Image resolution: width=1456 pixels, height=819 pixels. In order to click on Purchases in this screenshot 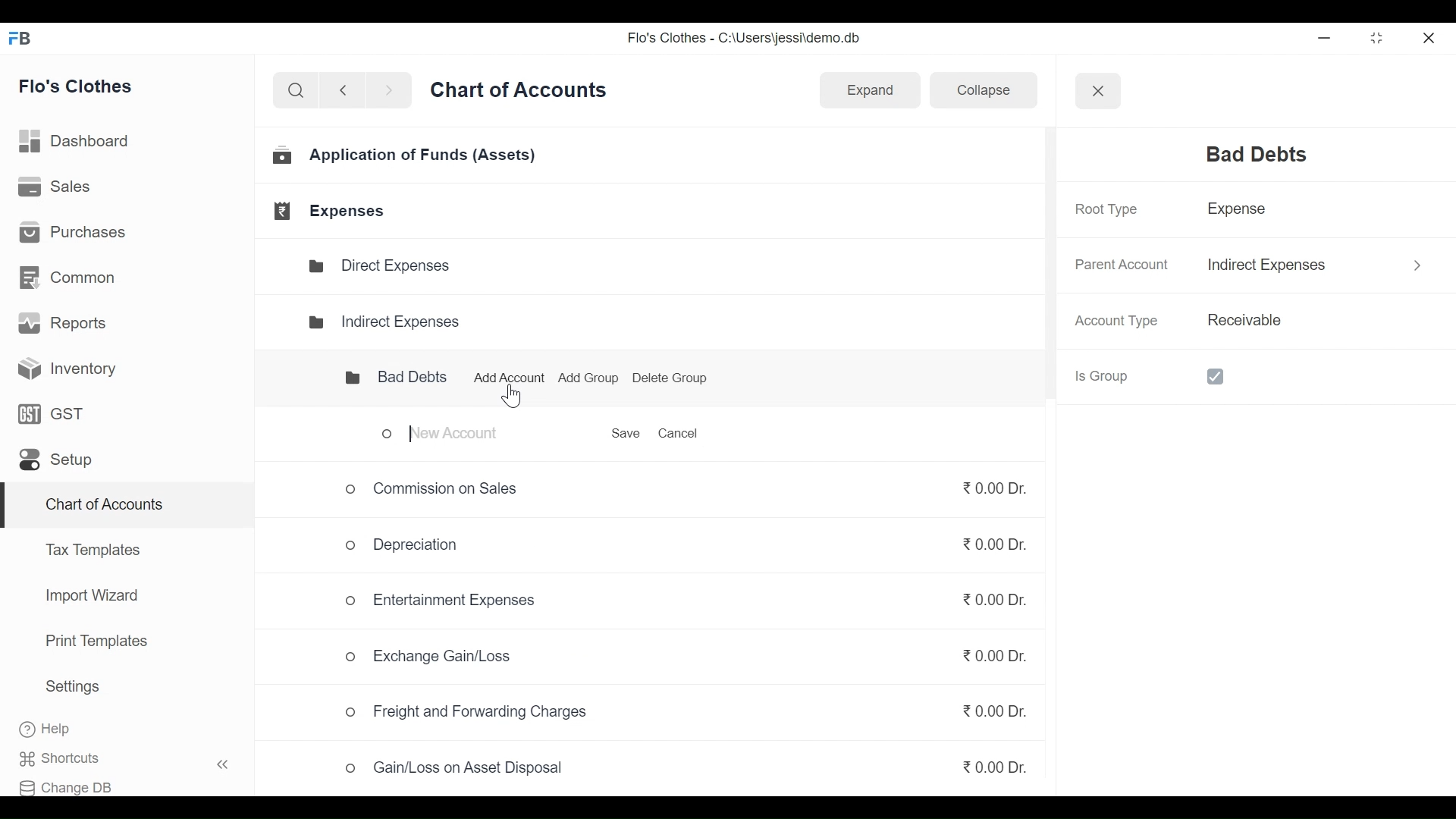, I will do `click(77, 234)`.